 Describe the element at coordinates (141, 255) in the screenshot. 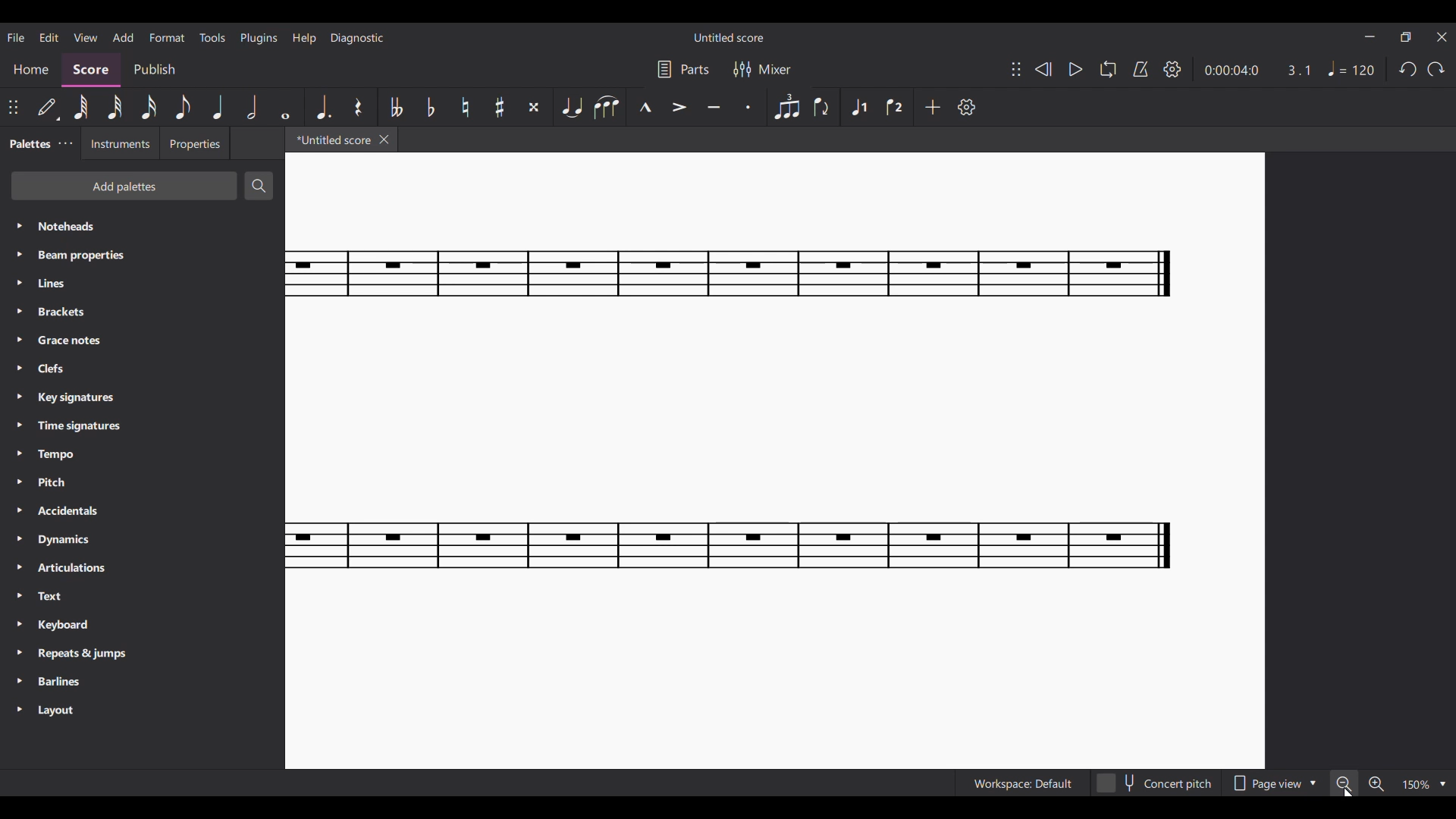

I see `Beam properties` at that location.